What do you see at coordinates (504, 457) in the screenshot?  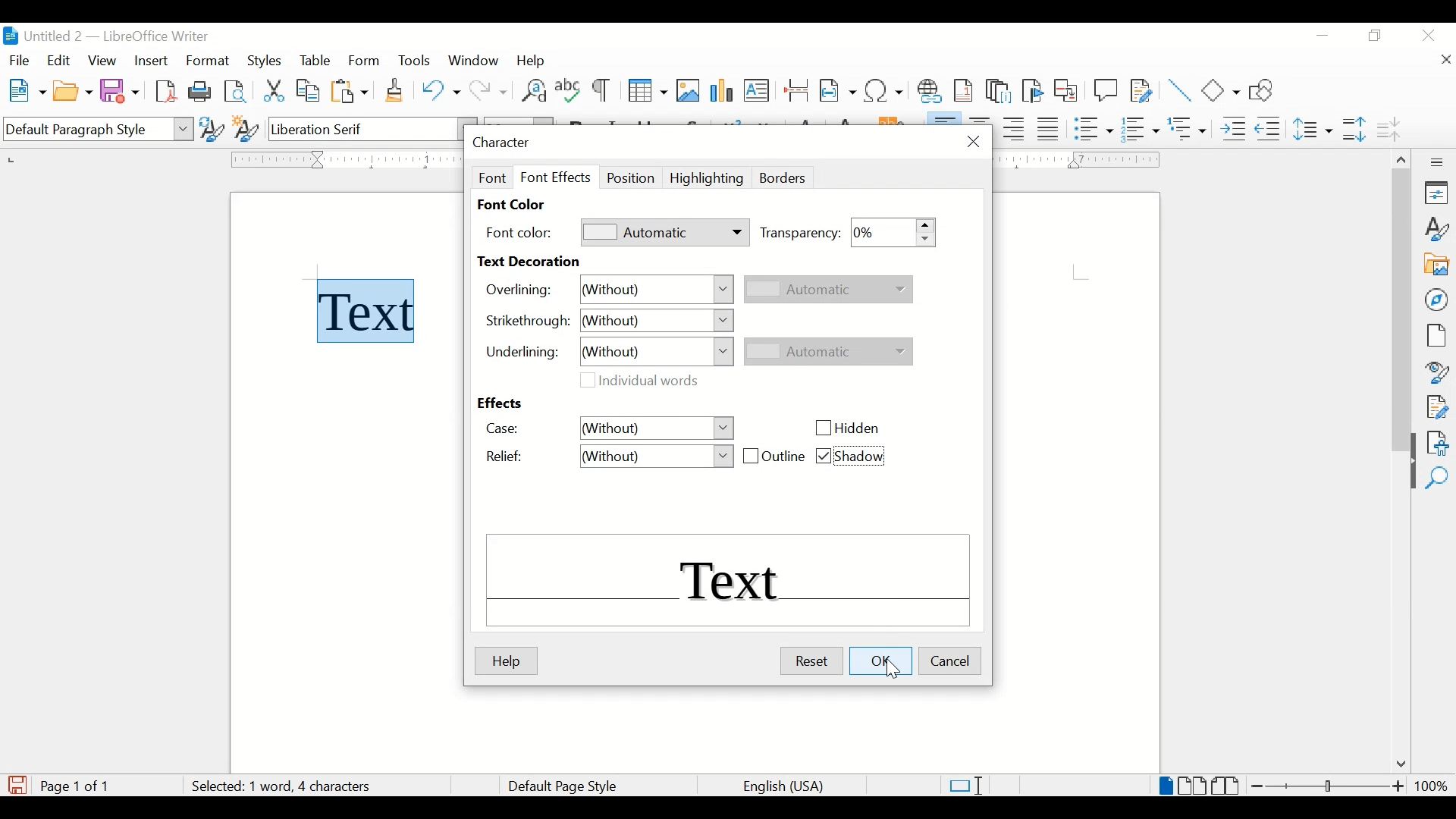 I see `relief` at bounding box center [504, 457].